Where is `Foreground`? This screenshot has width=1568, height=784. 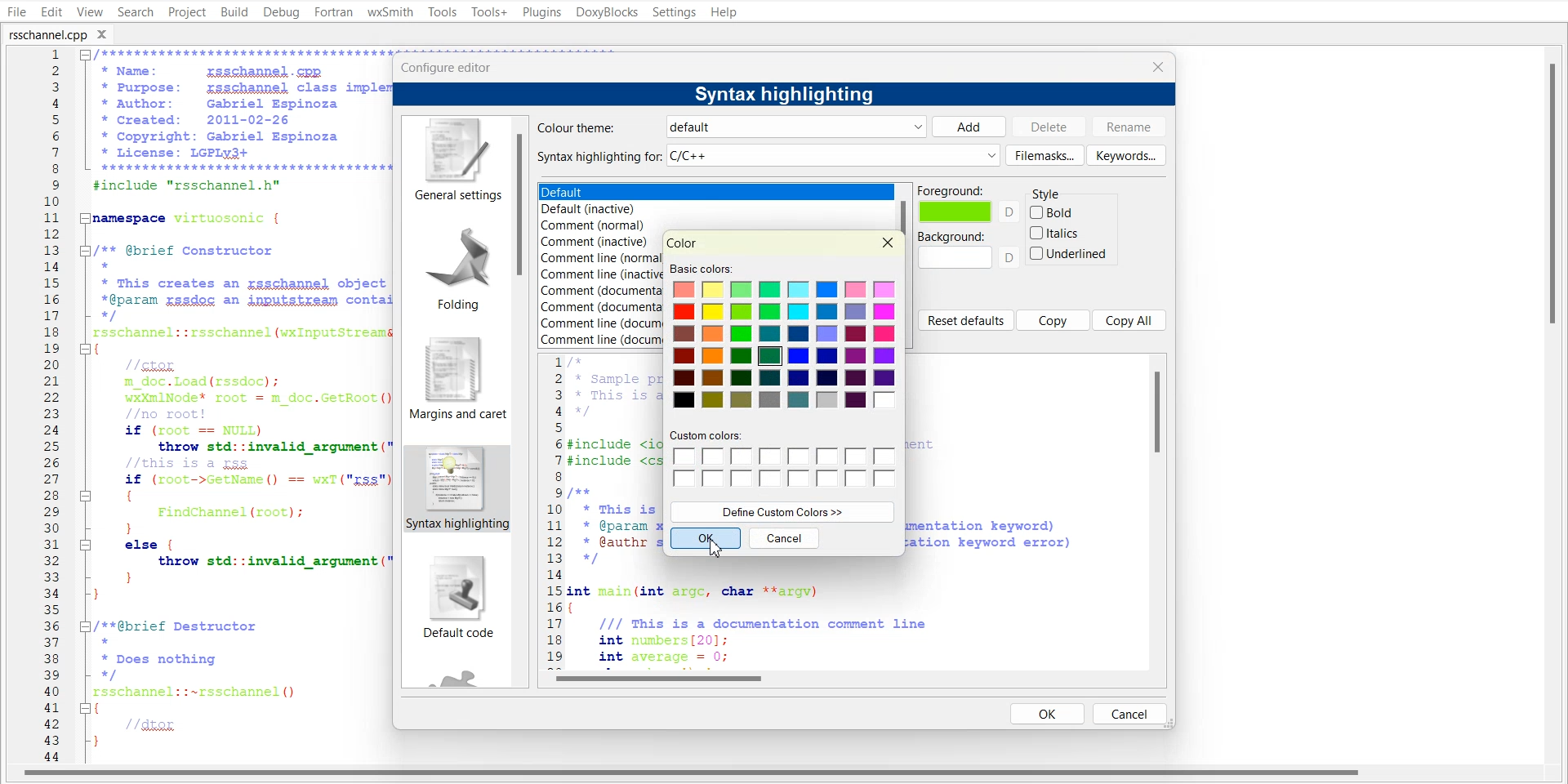
Foreground is located at coordinates (969, 204).